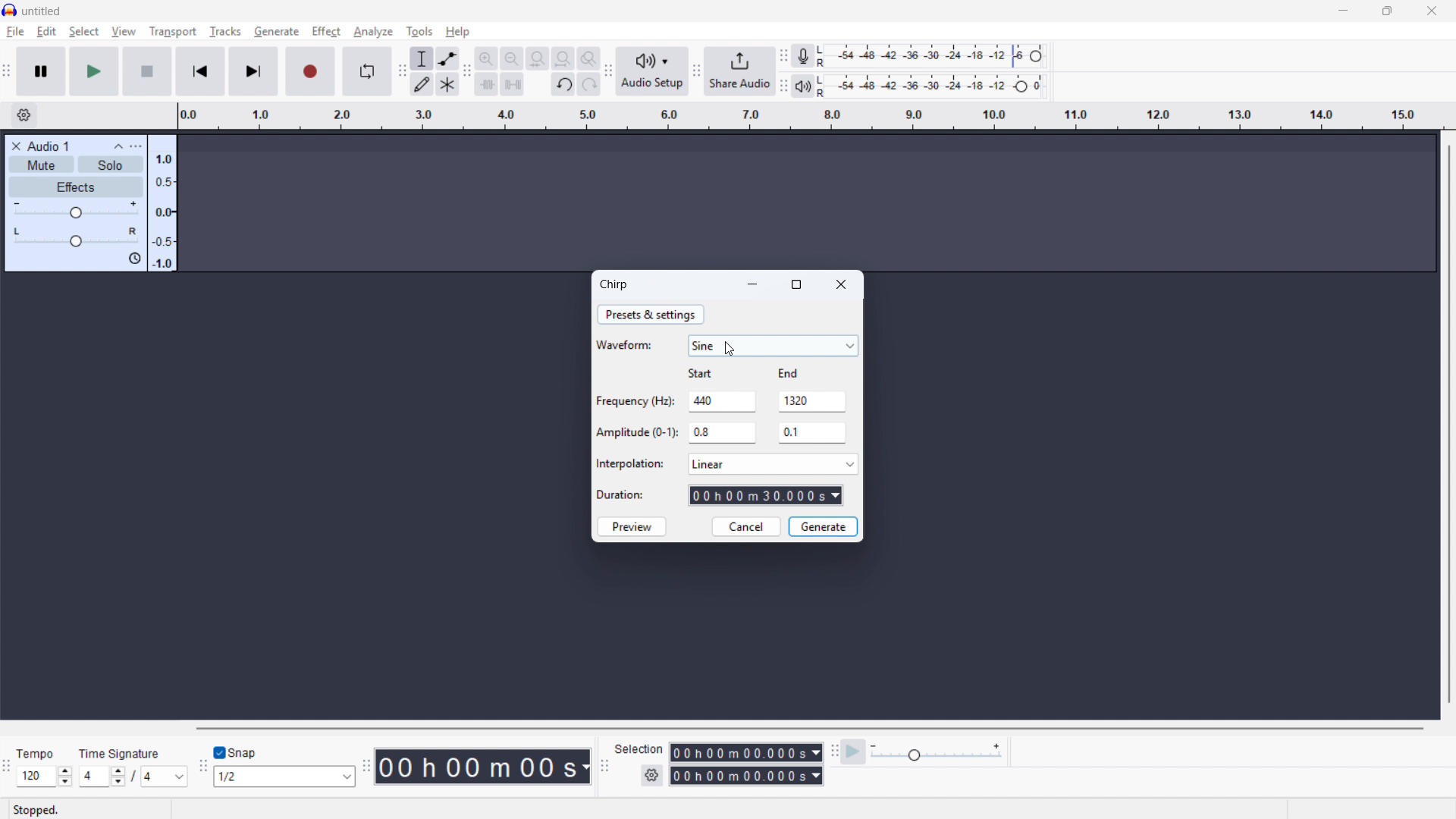  Describe the element at coordinates (162, 203) in the screenshot. I see `Amplitude` at that location.